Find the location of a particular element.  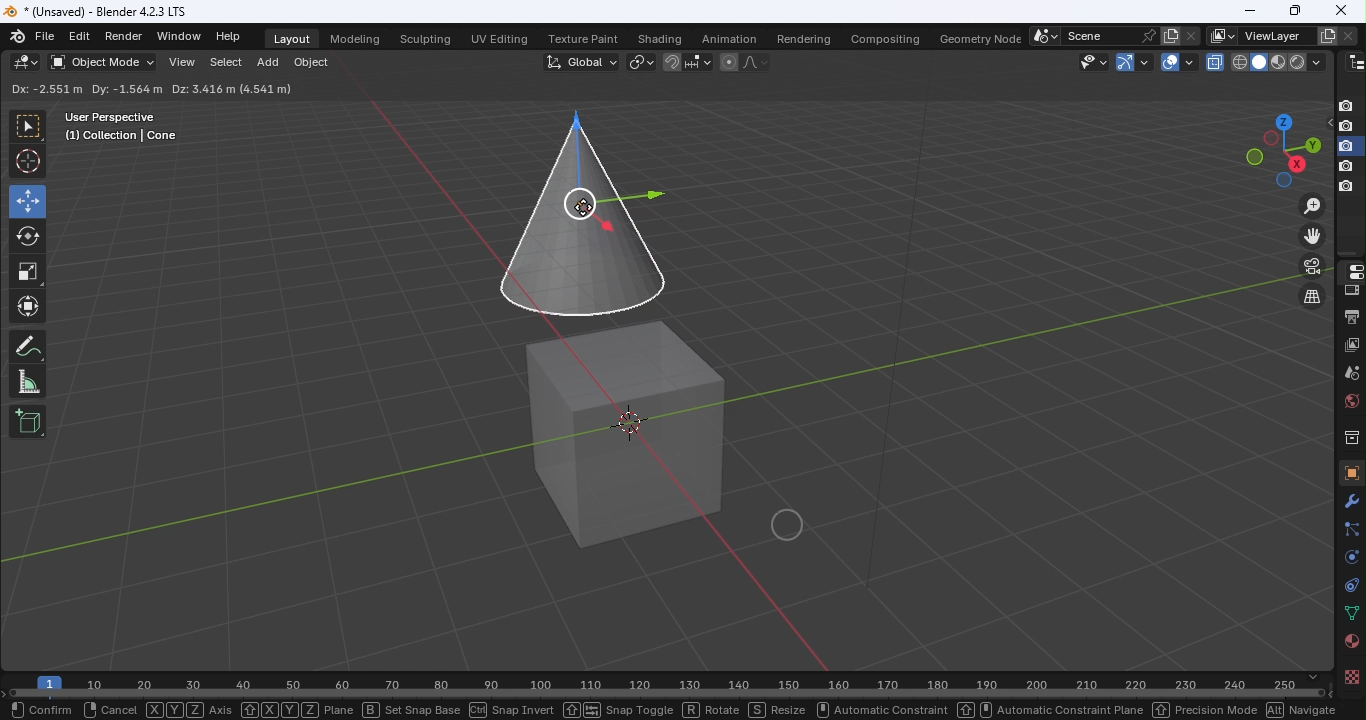

disable in renders is located at coordinates (1346, 127).